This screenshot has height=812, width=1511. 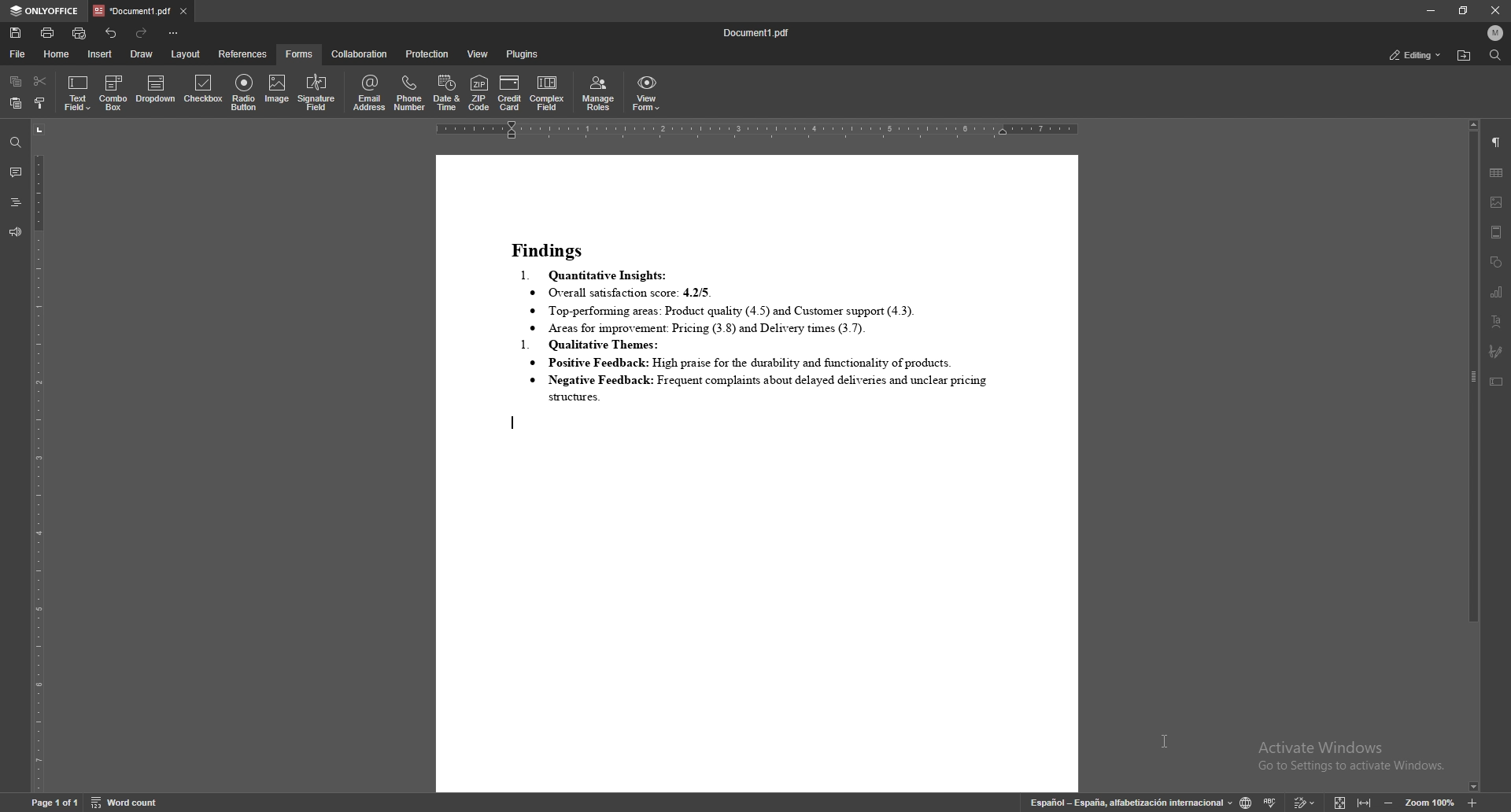 I want to click on customize toolbar, so click(x=174, y=34).